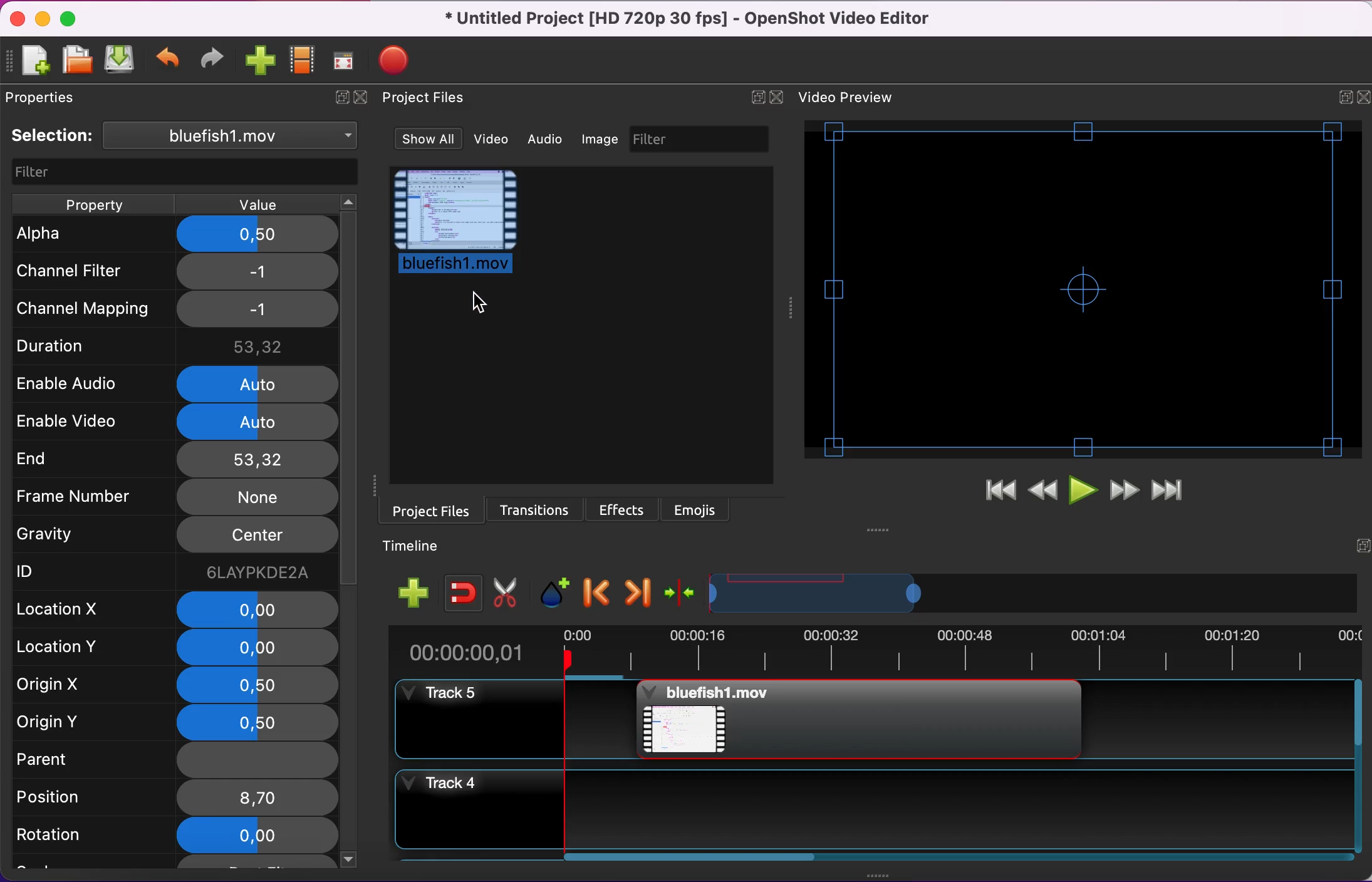 The image size is (1372, 882). I want to click on Track 5, so click(1215, 720).